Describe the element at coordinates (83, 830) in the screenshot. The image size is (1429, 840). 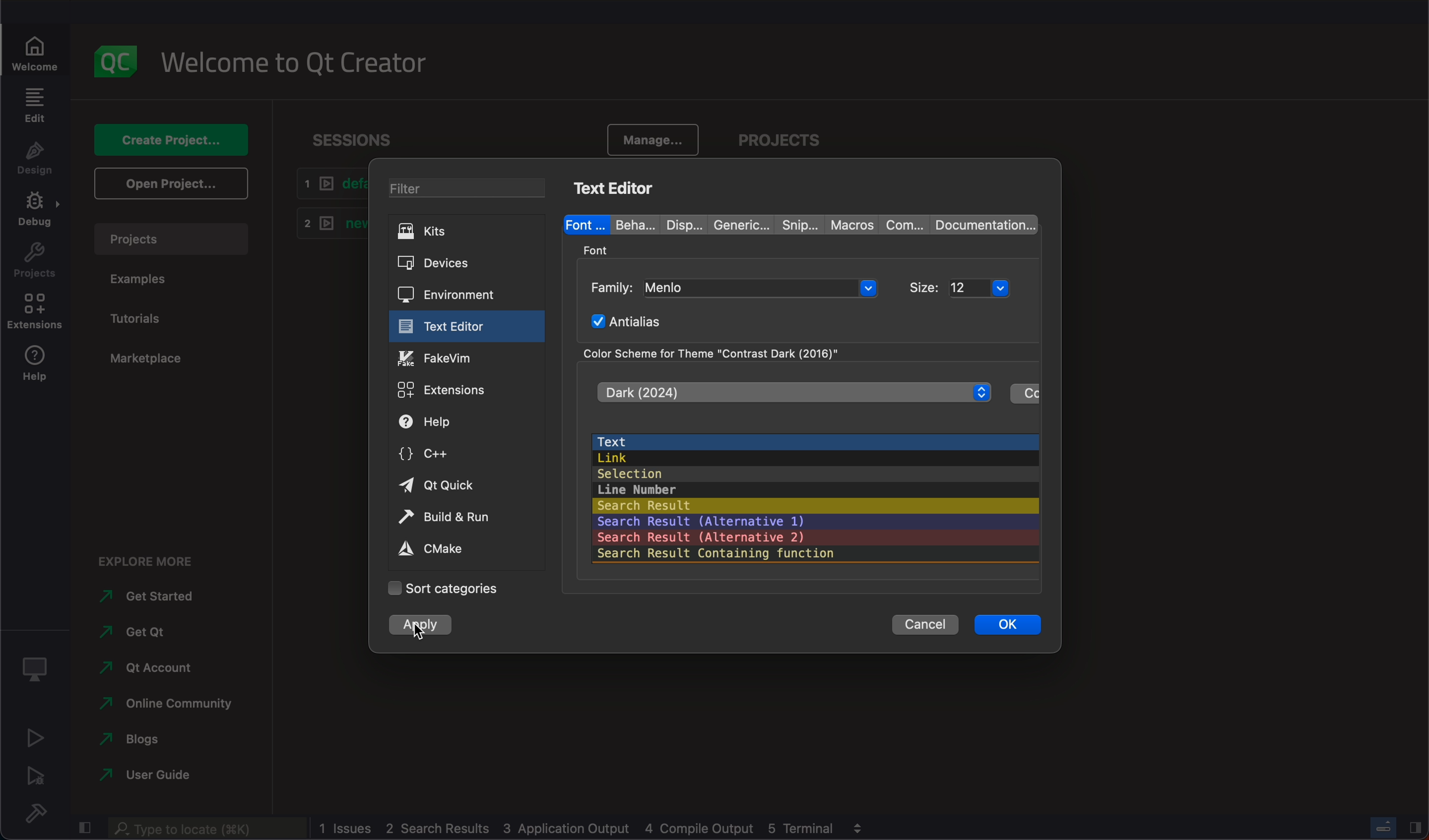
I see `close slidebar` at that location.